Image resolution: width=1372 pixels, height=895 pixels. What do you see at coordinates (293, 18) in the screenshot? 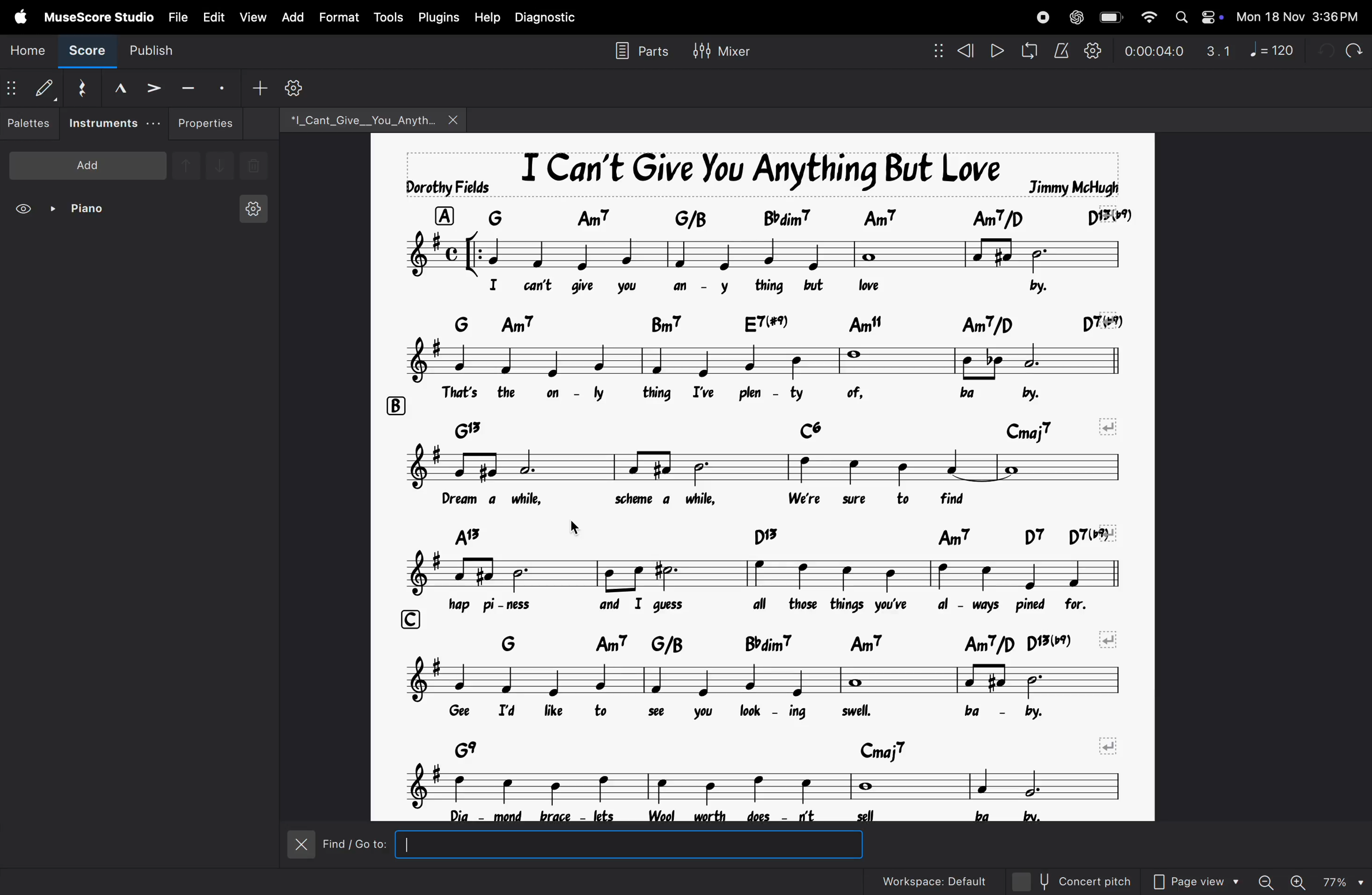
I see `add` at bounding box center [293, 18].